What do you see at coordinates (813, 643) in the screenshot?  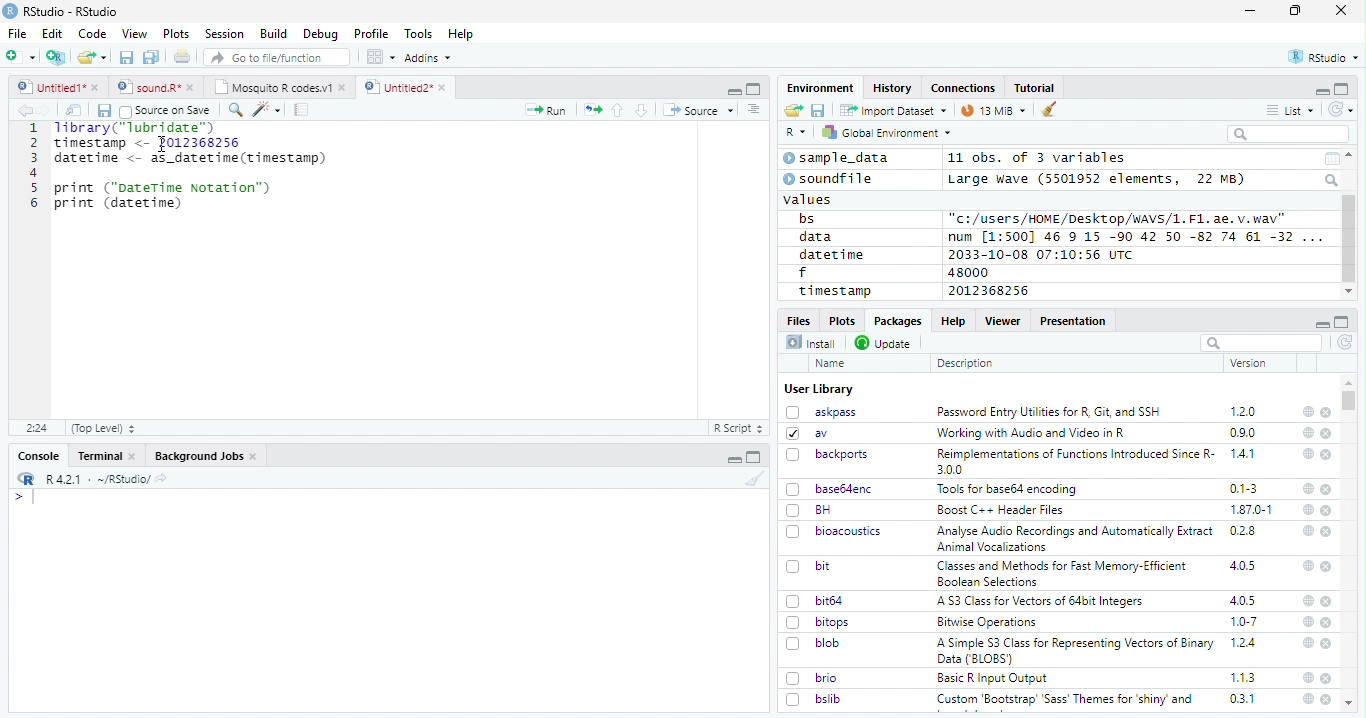 I see `blob` at bounding box center [813, 643].